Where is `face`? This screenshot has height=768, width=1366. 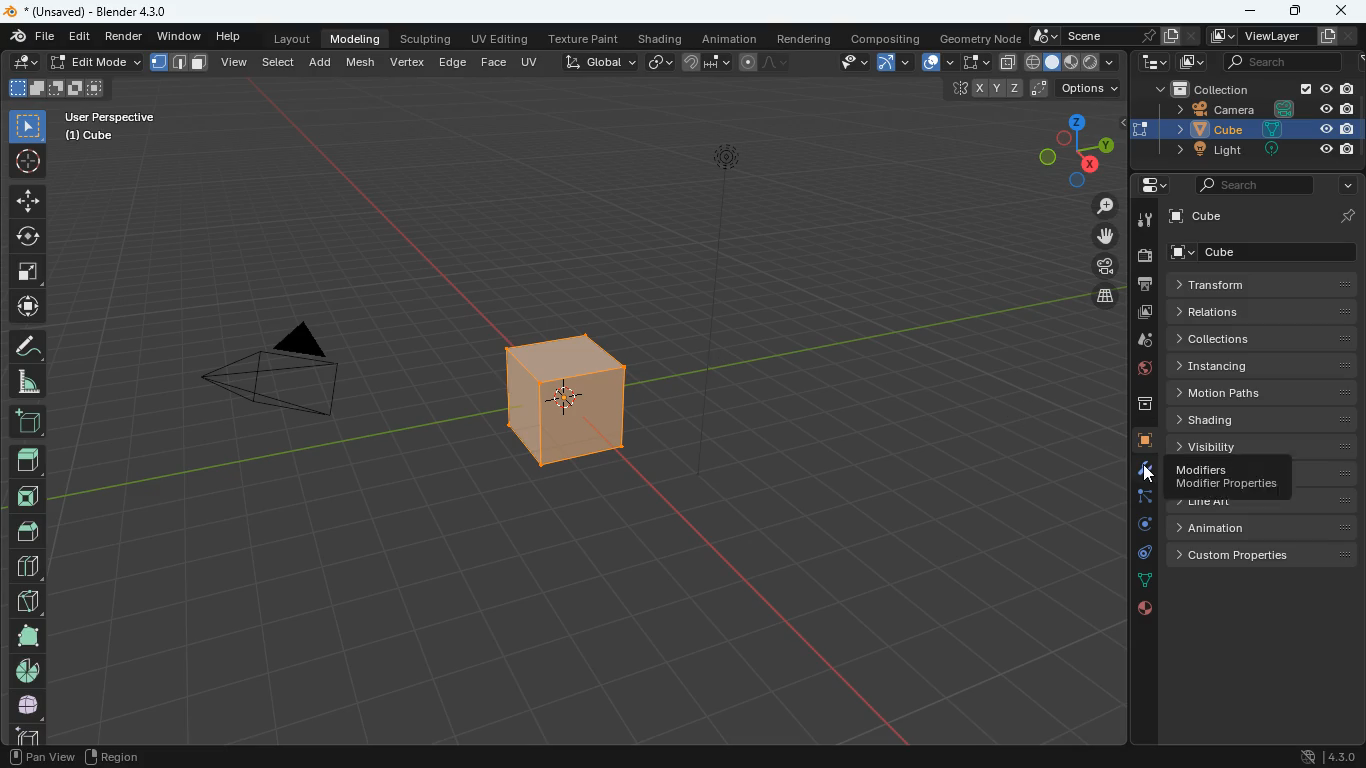
face is located at coordinates (493, 63).